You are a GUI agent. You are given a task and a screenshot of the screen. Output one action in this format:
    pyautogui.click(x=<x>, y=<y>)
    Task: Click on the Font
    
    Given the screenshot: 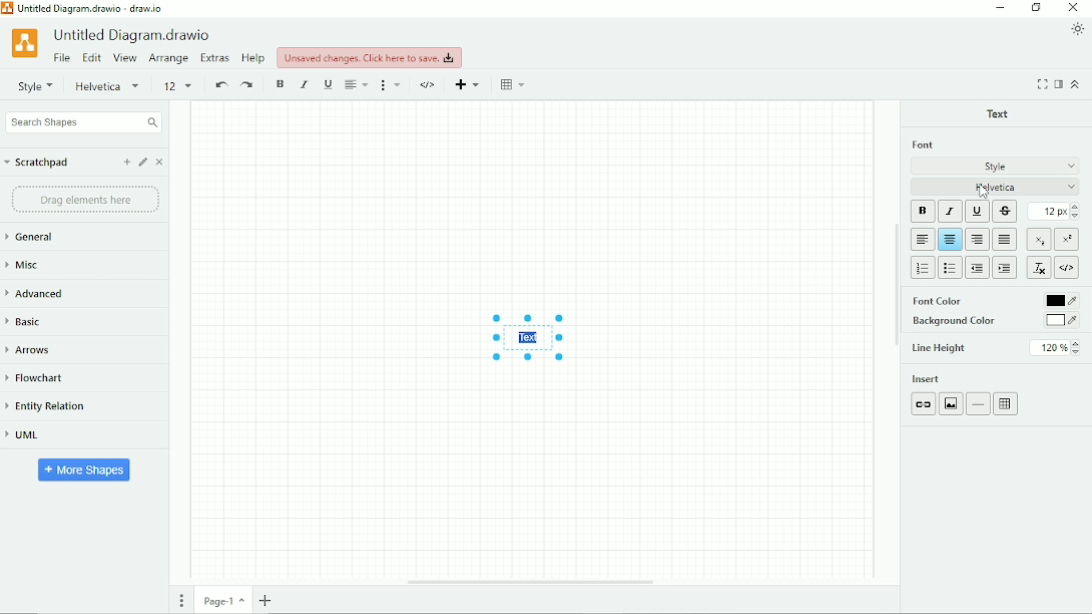 What is the action you would take?
    pyautogui.click(x=922, y=145)
    